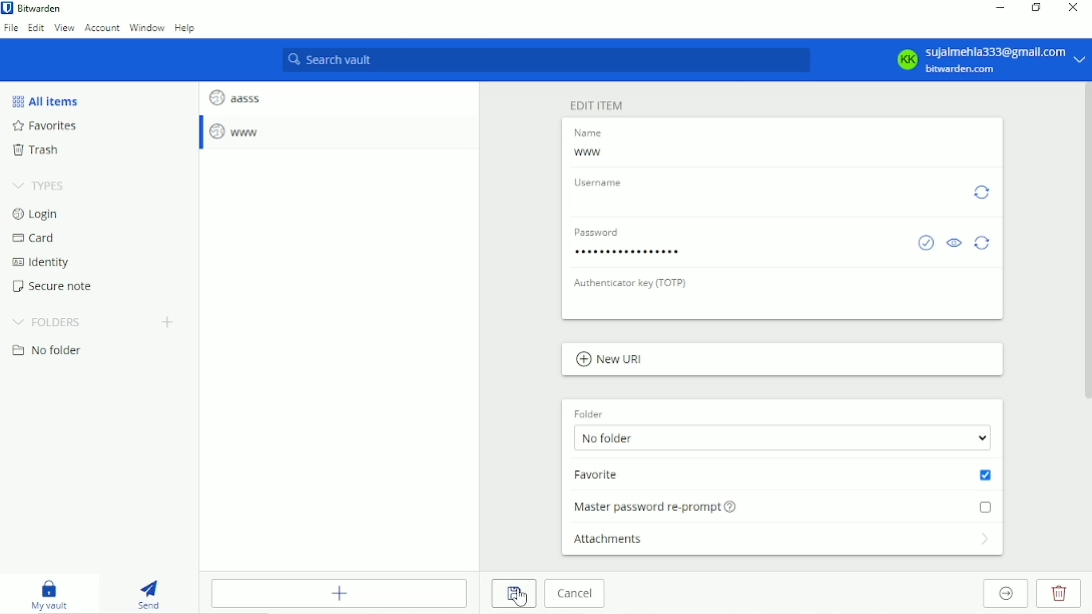  I want to click on Name, so click(591, 133).